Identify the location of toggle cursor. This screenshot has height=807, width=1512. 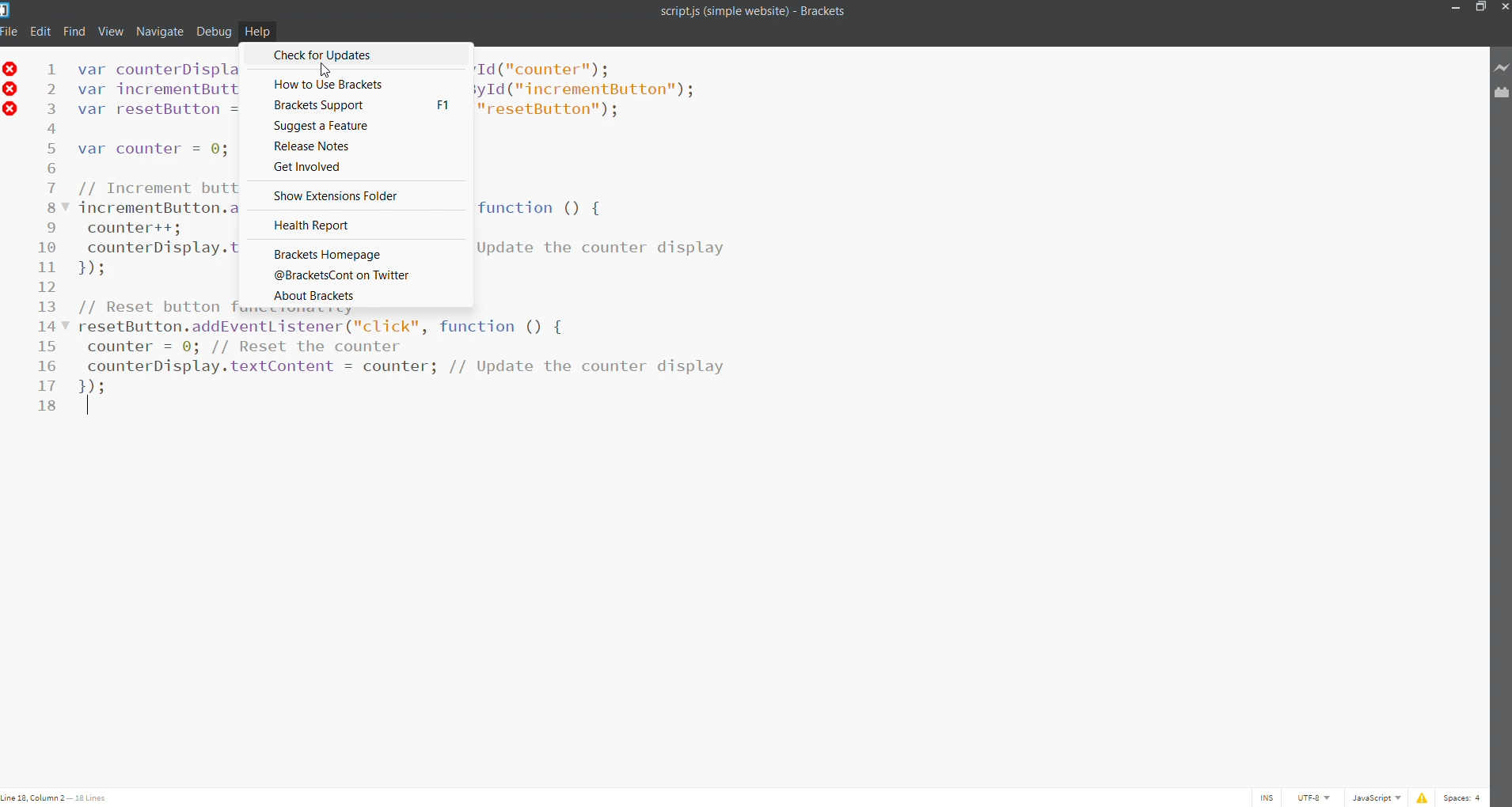
(1268, 798).